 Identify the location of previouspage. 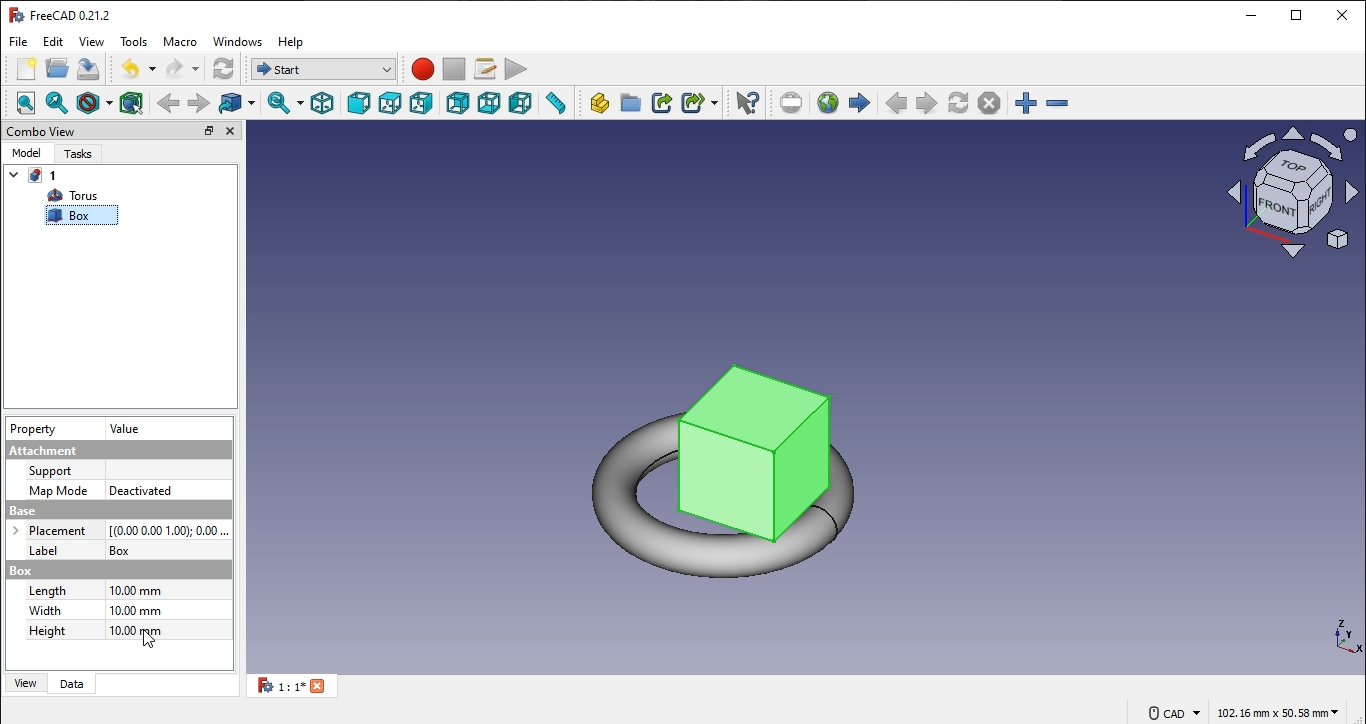
(896, 103).